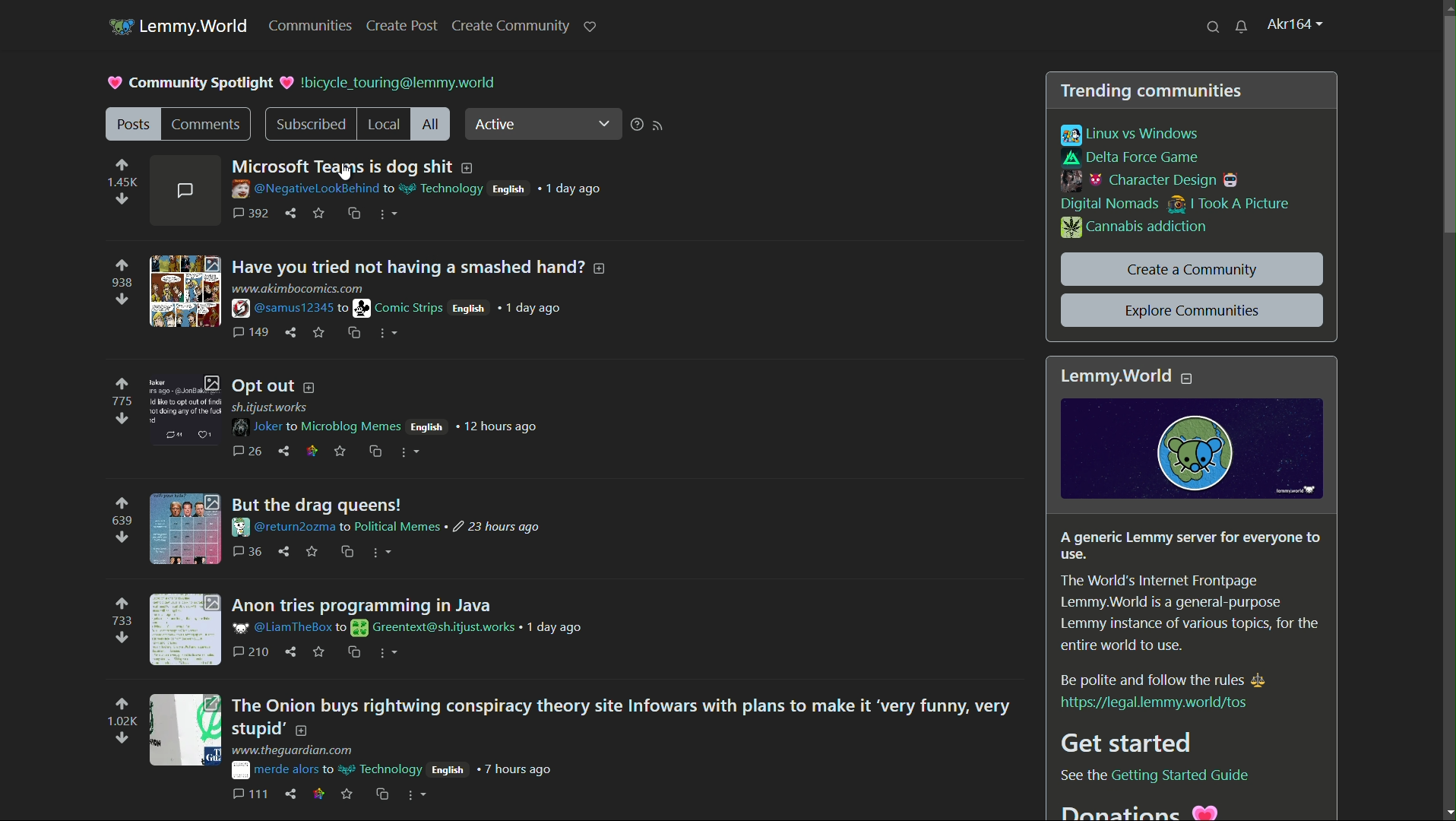 This screenshot has height=821, width=1456. What do you see at coordinates (121, 383) in the screenshot?
I see `upvote` at bounding box center [121, 383].